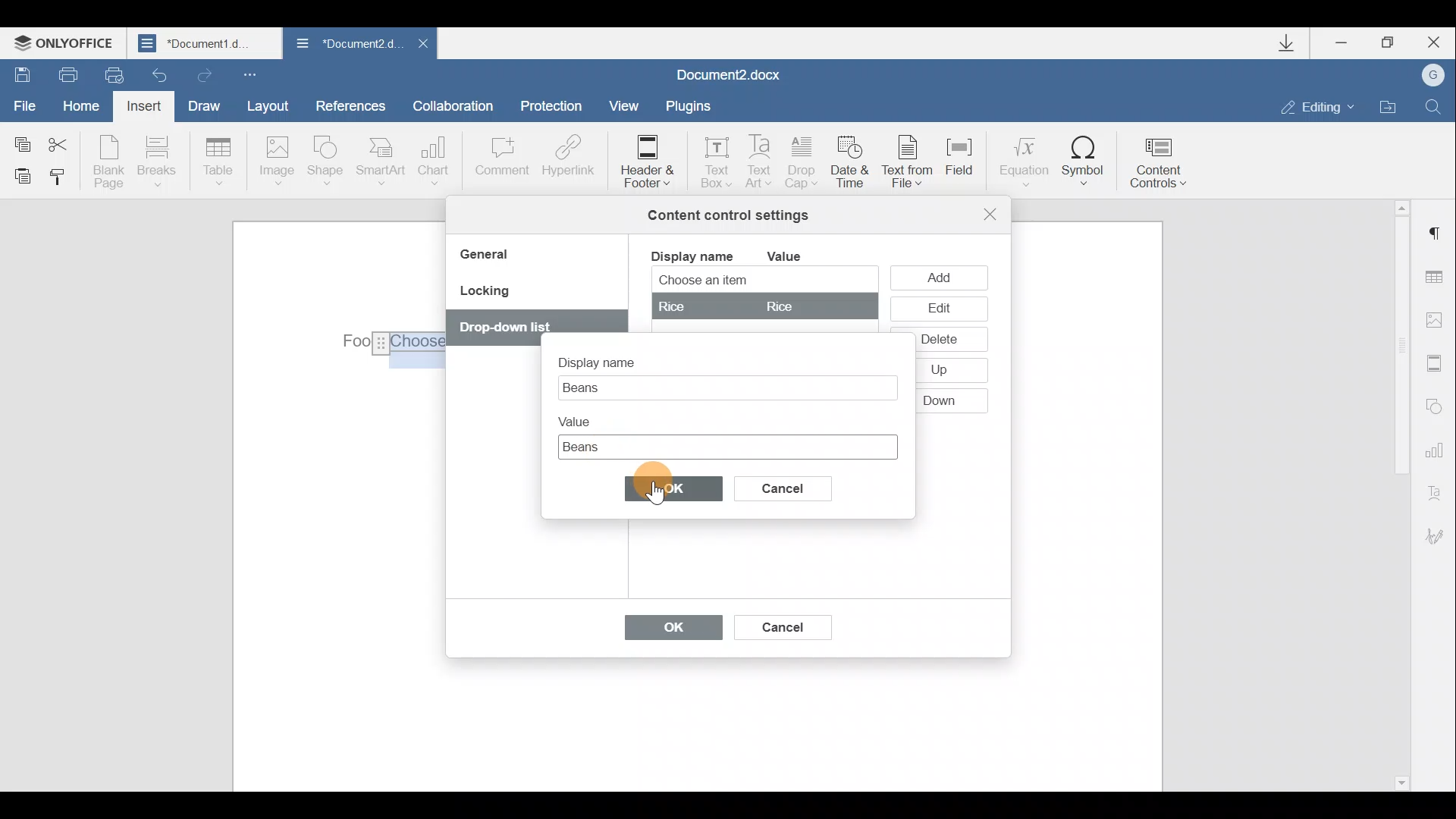  I want to click on Layout, so click(267, 105).